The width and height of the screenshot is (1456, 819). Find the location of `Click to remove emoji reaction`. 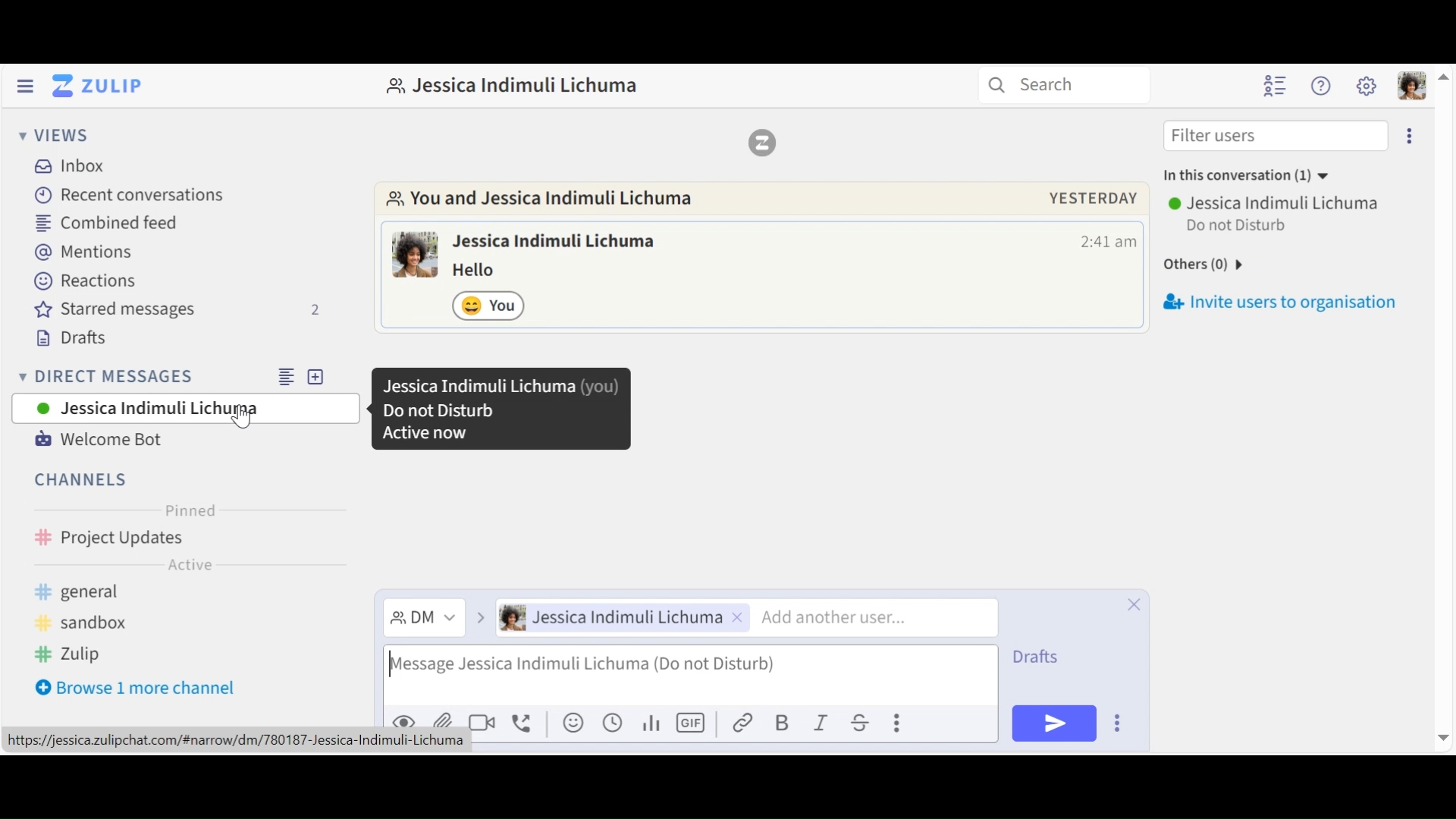

Click to remove emoji reaction is located at coordinates (491, 305).